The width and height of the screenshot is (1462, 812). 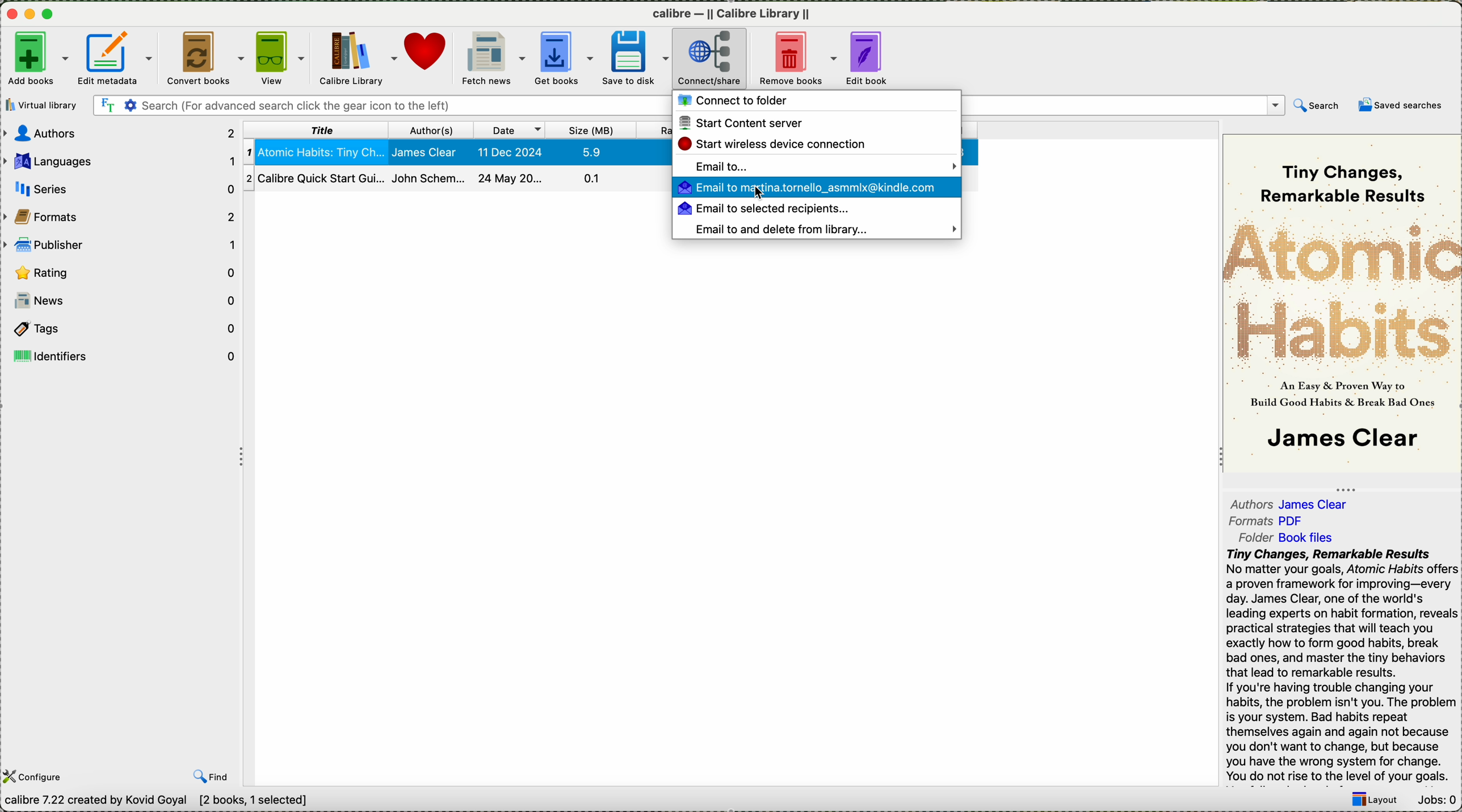 What do you see at coordinates (827, 230) in the screenshot?
I see `email to and delete from library` at bounding box center [827, 230].